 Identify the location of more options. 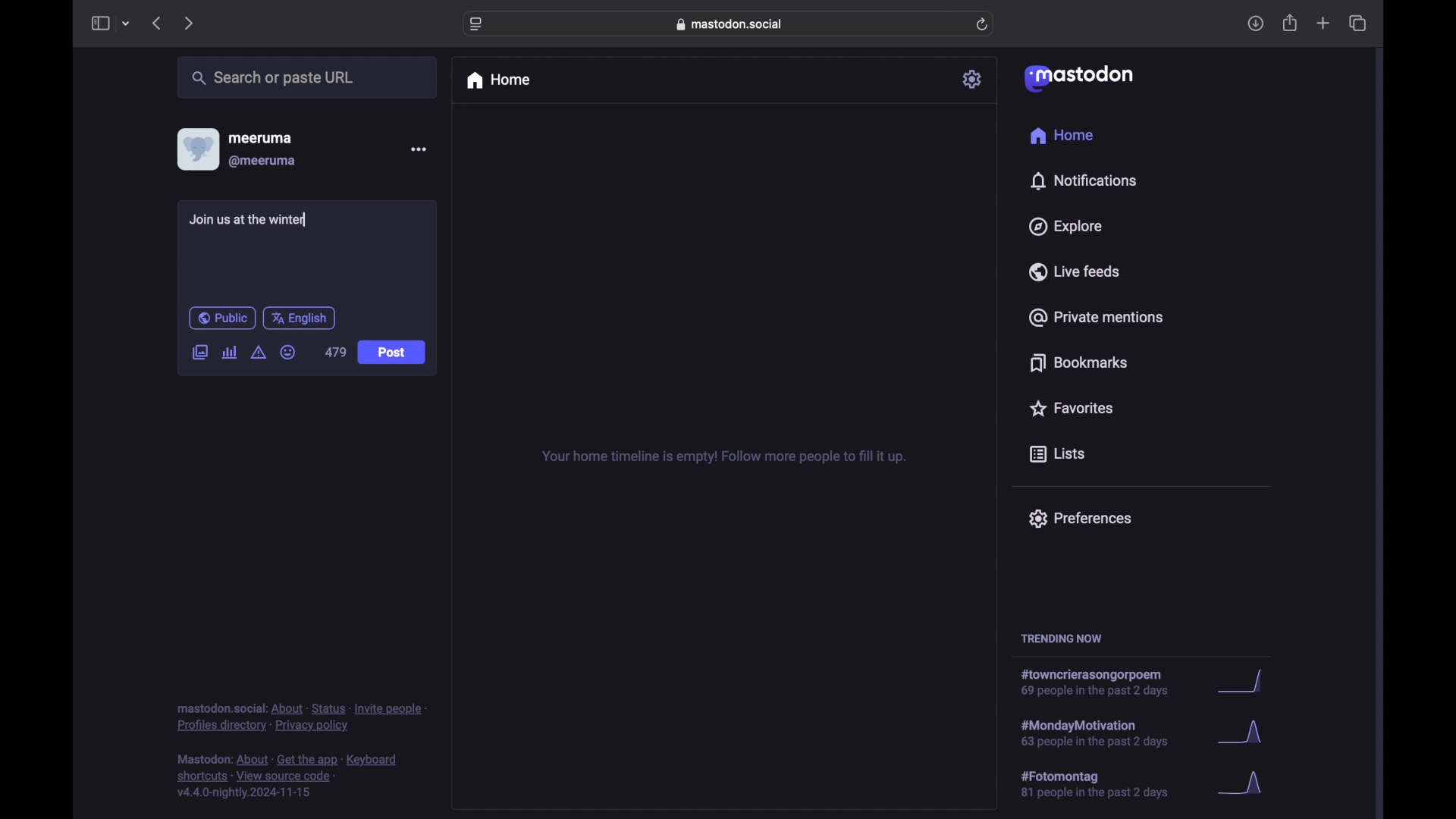
(419, 149).